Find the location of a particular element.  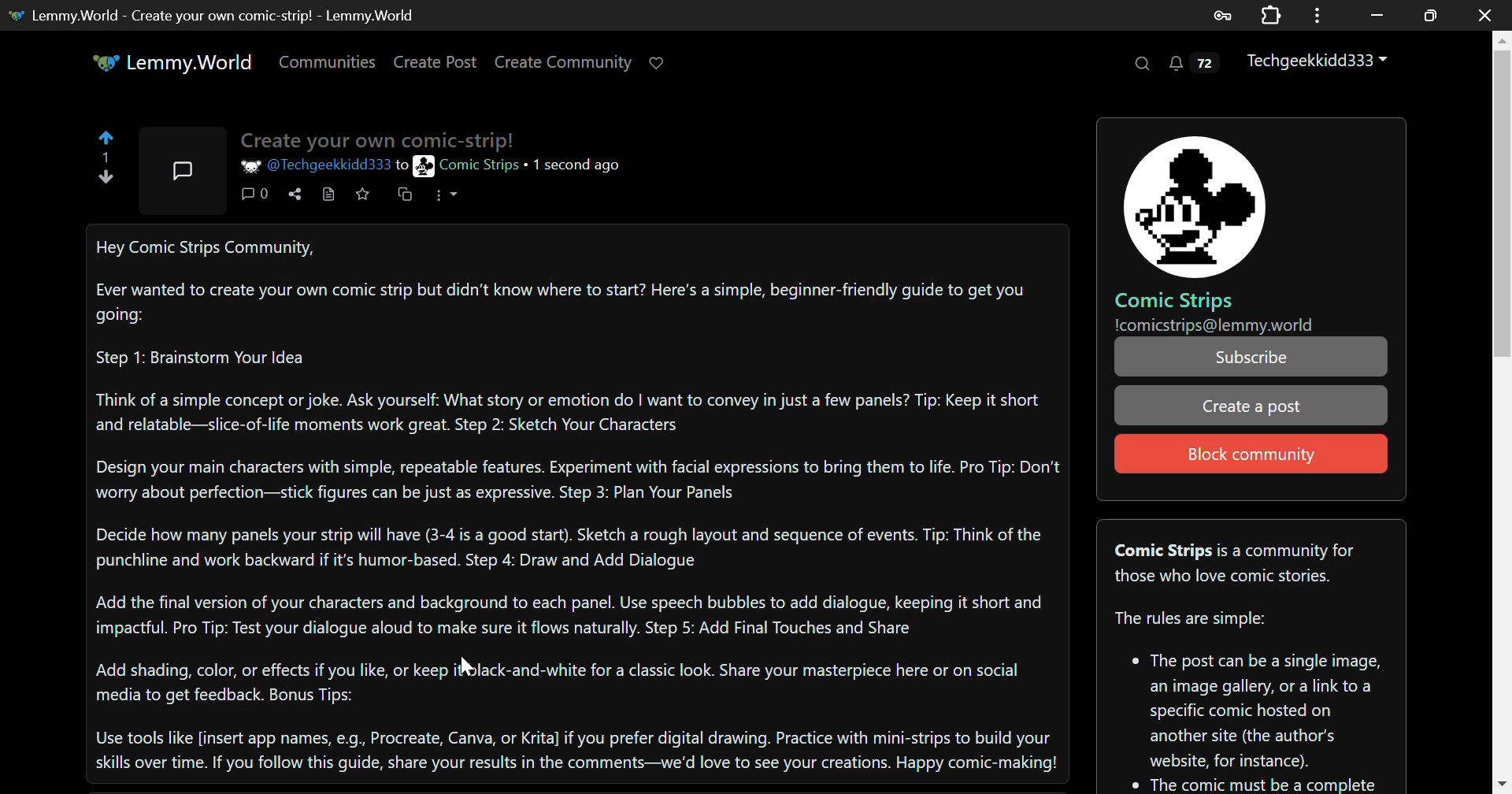

Notifications is located at coordinates (1192, 67).